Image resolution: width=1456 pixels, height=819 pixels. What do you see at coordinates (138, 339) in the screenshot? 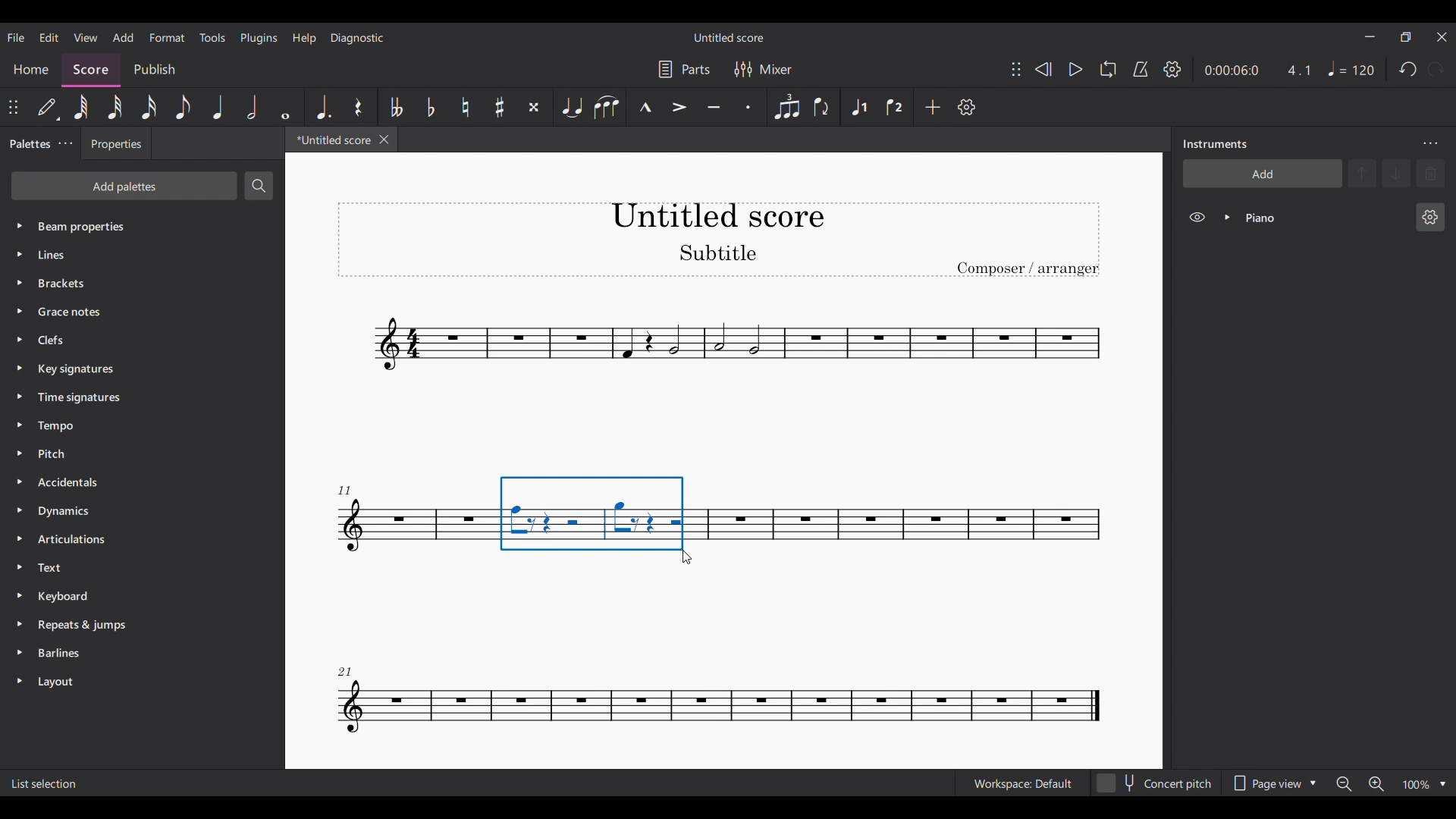
I see `Clefs` at bounding box center [138, 339].